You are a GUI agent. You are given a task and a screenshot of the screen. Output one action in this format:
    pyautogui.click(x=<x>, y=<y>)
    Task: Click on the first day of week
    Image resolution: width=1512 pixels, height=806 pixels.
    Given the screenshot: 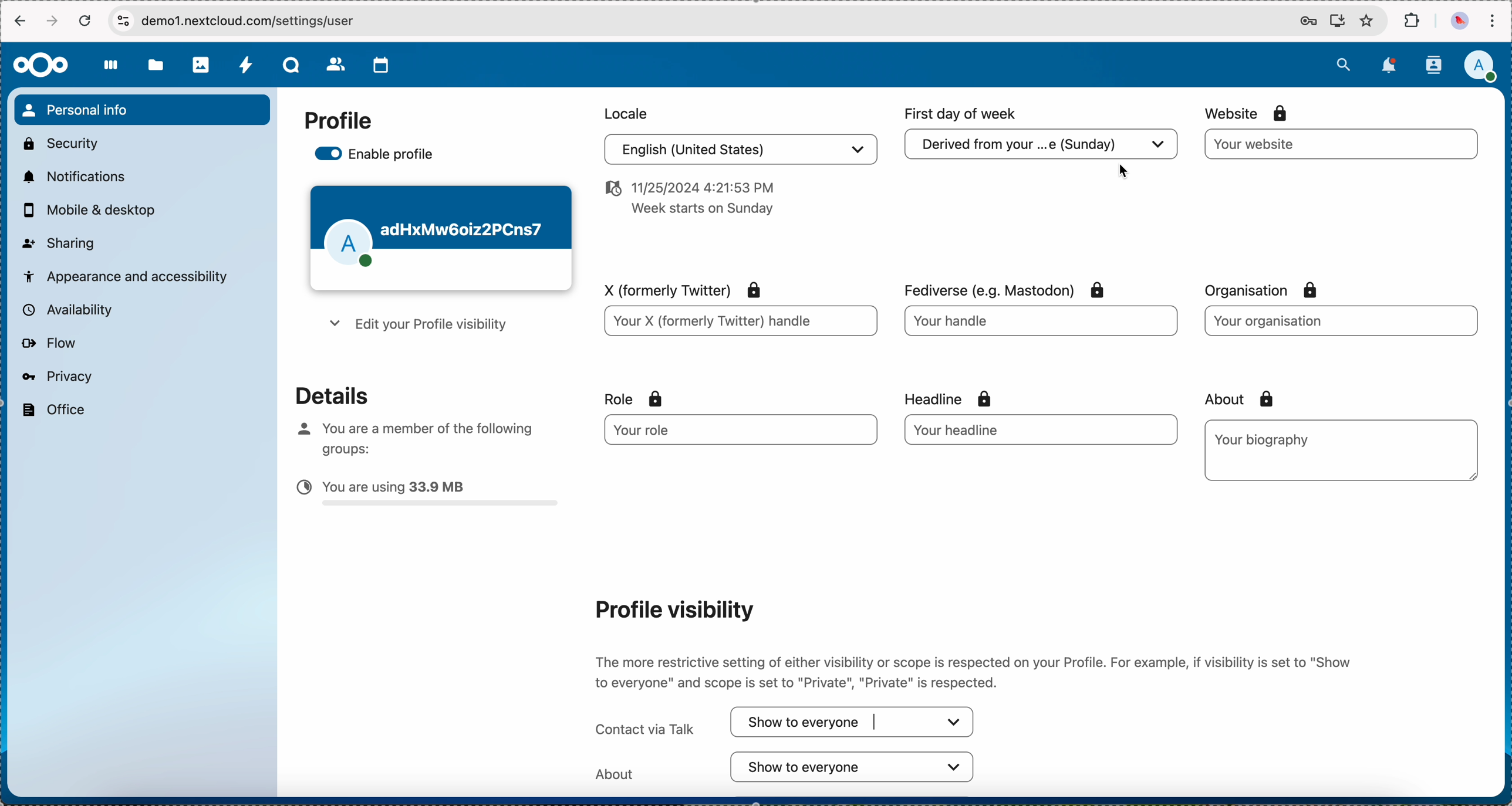 What is the action you would take?
    pyautogui.click(x=963, y=114)
    